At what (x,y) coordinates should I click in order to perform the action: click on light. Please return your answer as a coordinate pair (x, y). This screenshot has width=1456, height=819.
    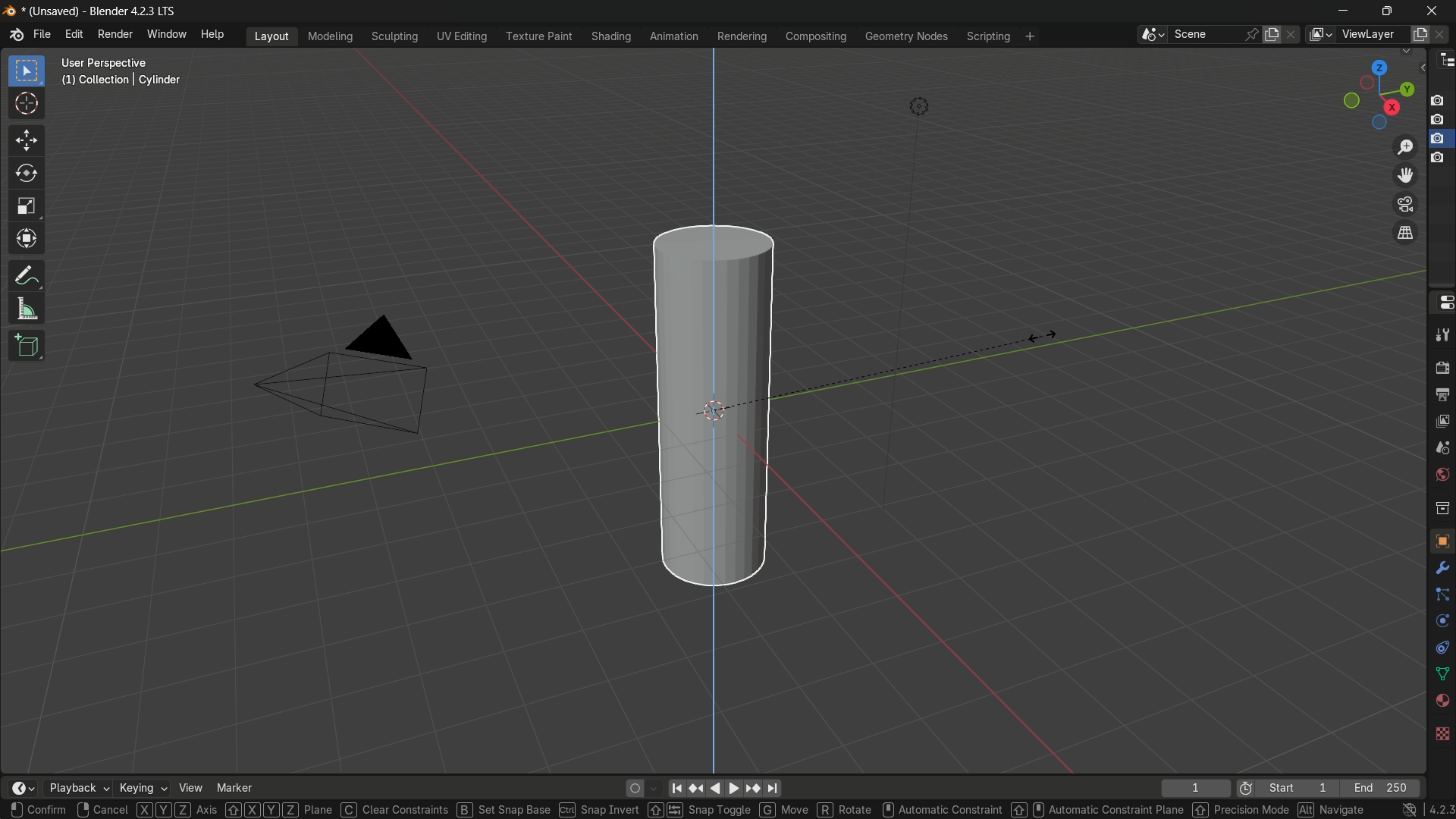
    Looking at the image, I should click on (921, 107).